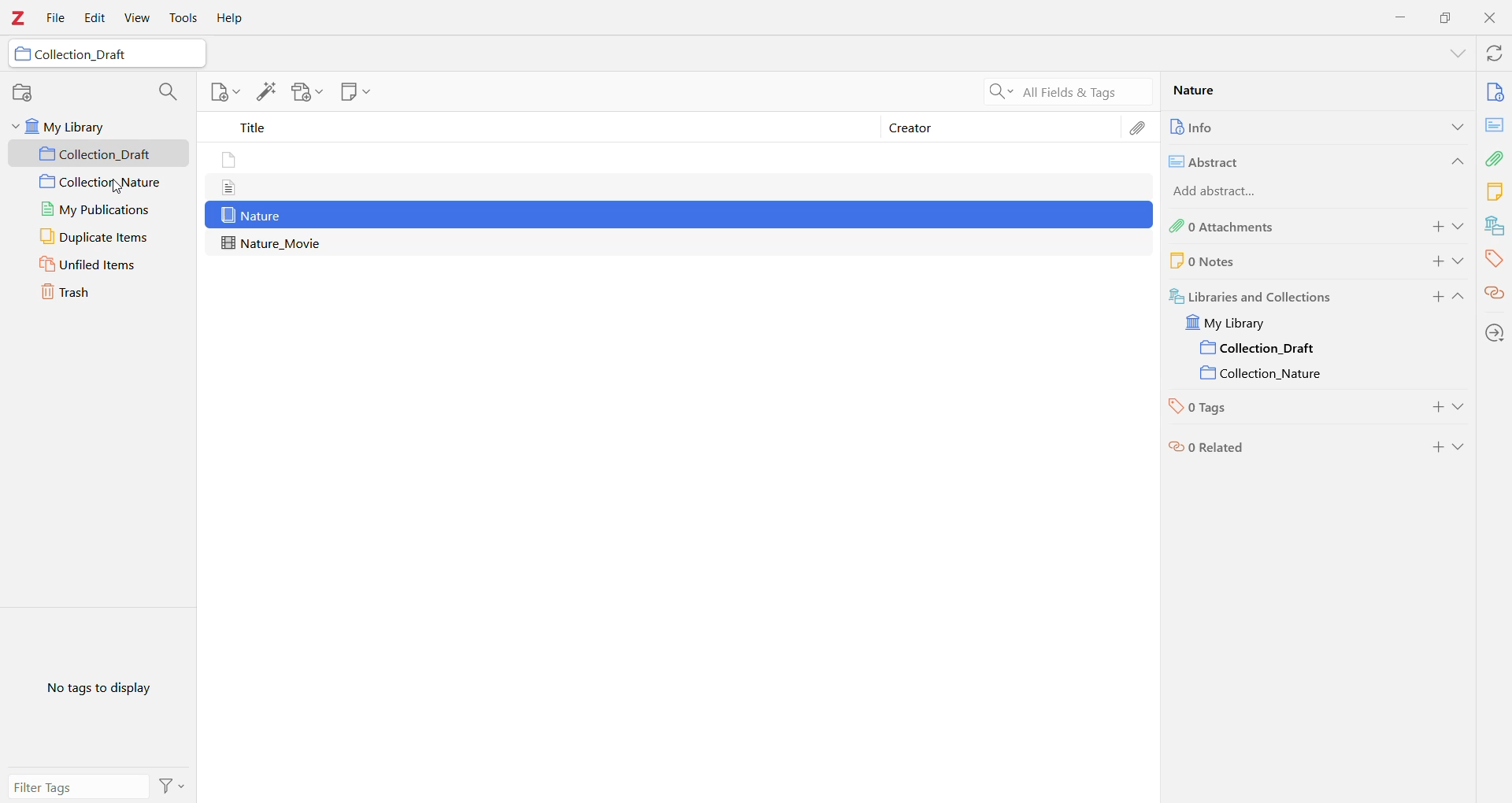  I want to click on file, so click(236, 186).